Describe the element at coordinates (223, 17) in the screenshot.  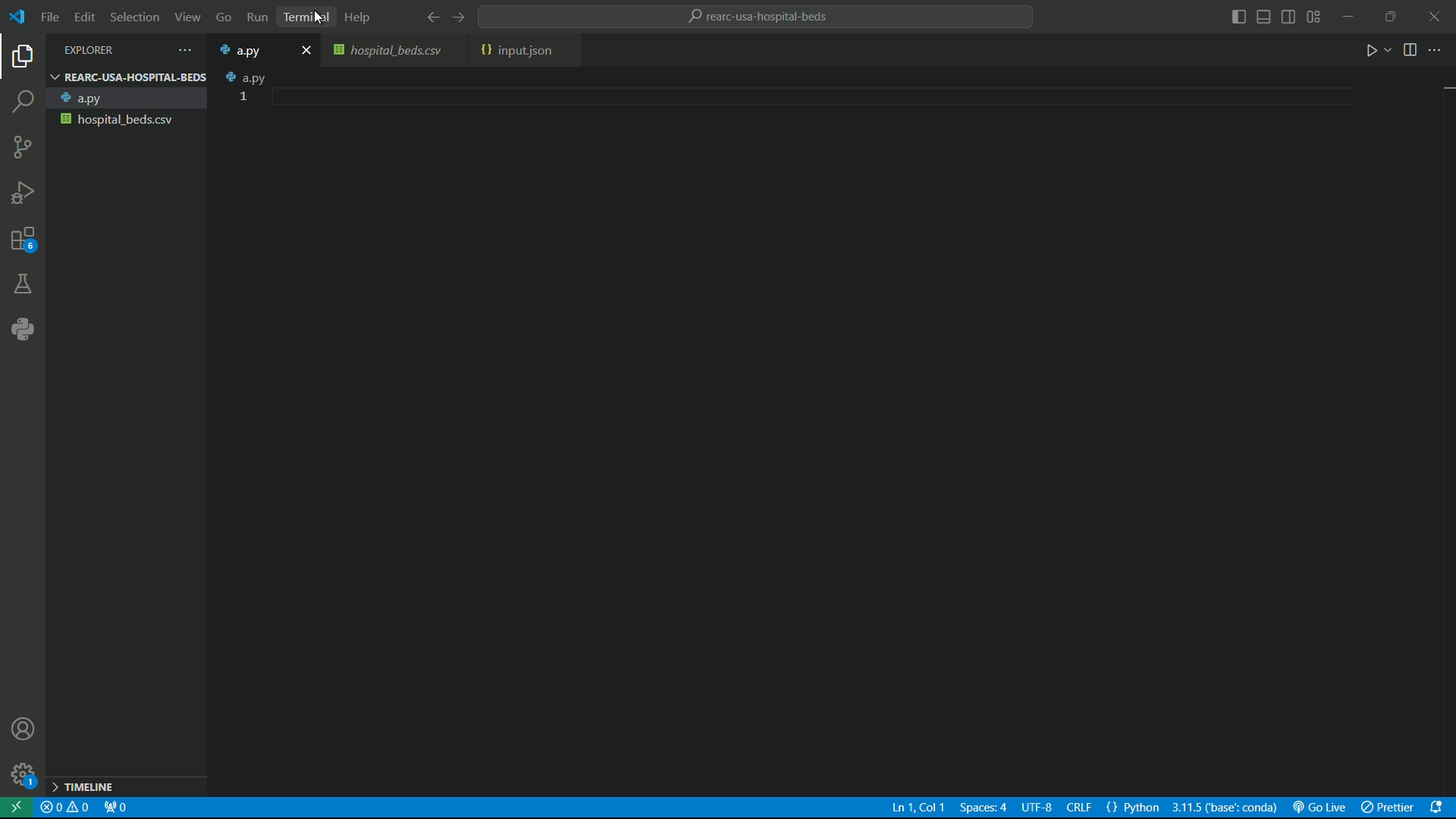
I see `go menu` at that location.